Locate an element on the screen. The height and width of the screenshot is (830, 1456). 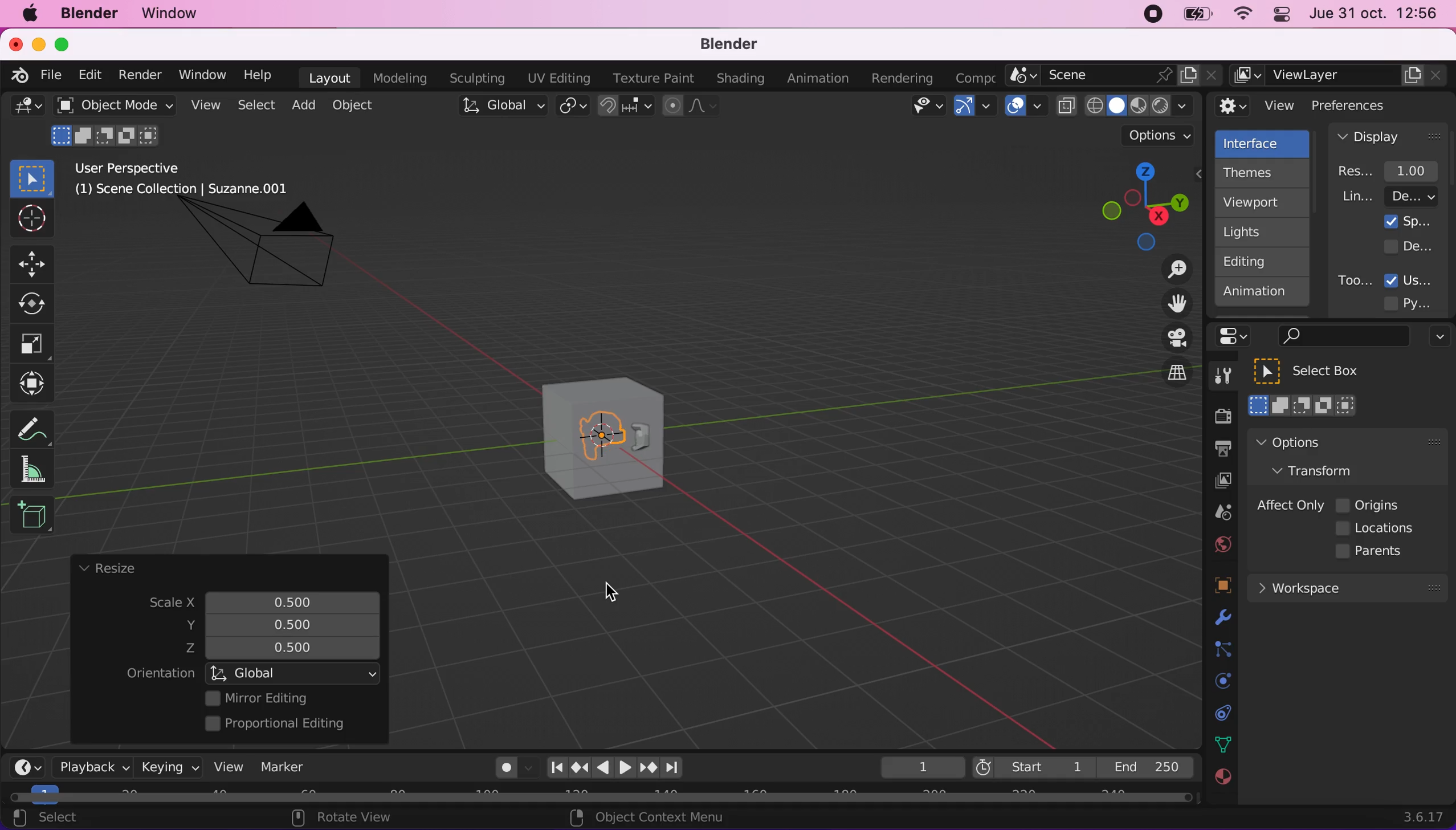
jump to endpoint is located at coordinates (678, 768).